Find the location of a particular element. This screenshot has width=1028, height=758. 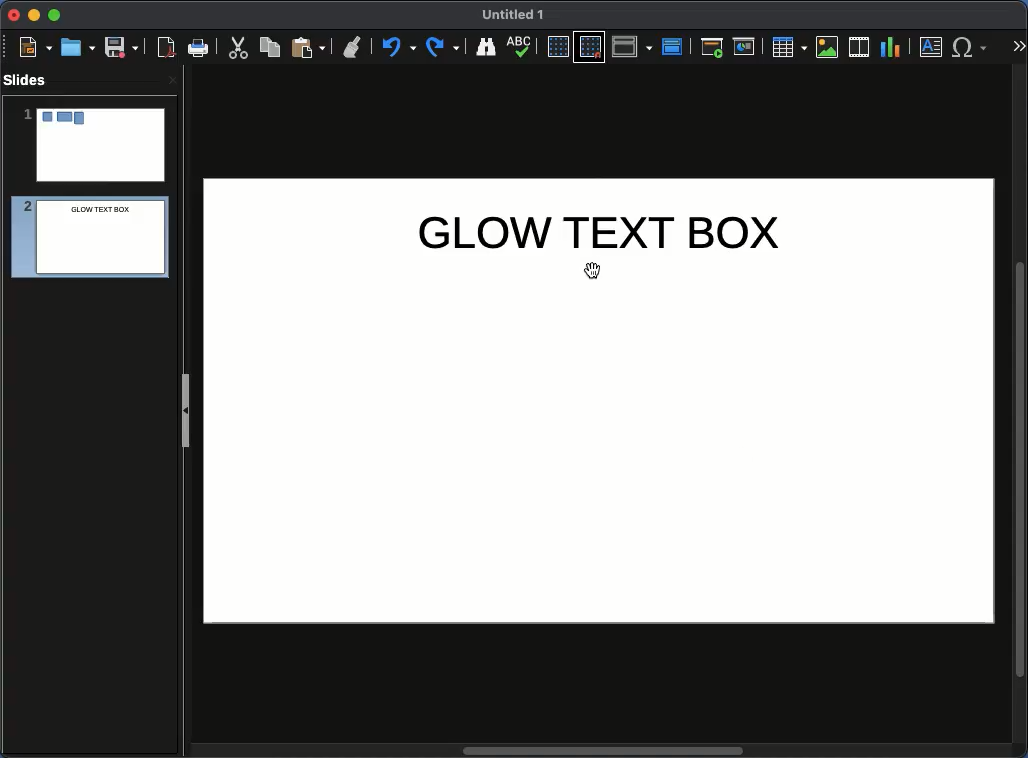

Display grid is located at coordinates (557, 48).